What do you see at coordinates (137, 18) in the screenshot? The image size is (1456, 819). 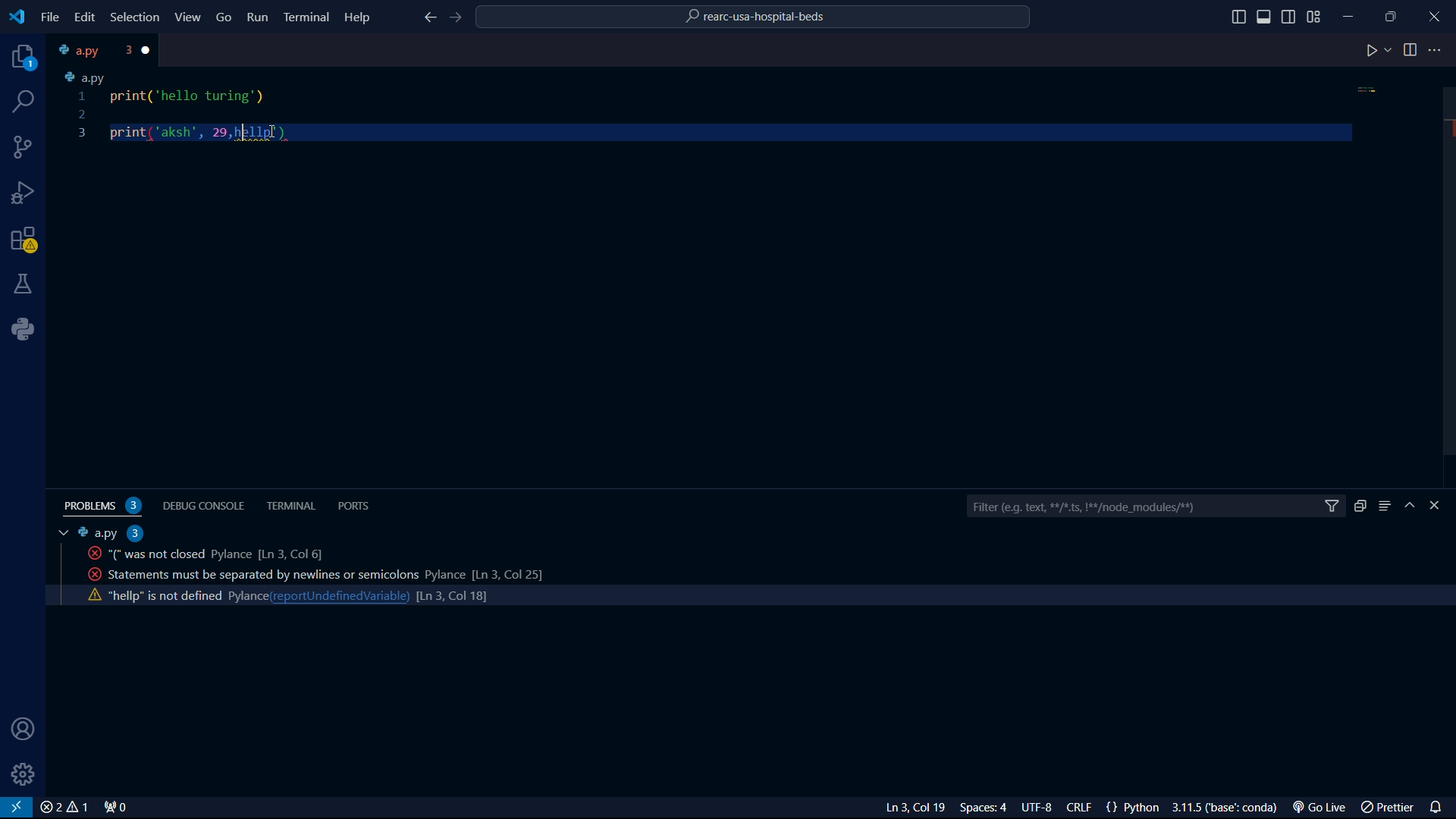 I see `Selection` at bounding box center [137, 18].